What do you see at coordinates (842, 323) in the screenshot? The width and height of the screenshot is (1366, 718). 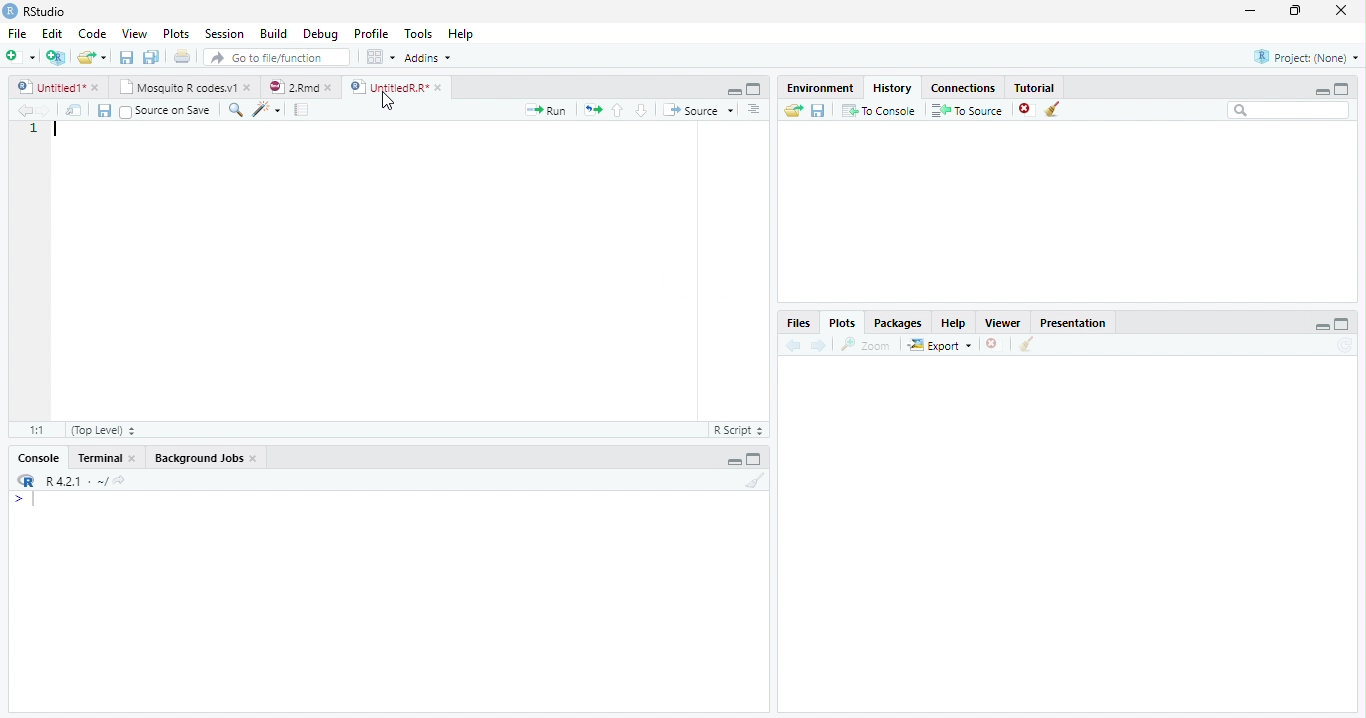 I see `Plots` at bounding box center [842, 323].